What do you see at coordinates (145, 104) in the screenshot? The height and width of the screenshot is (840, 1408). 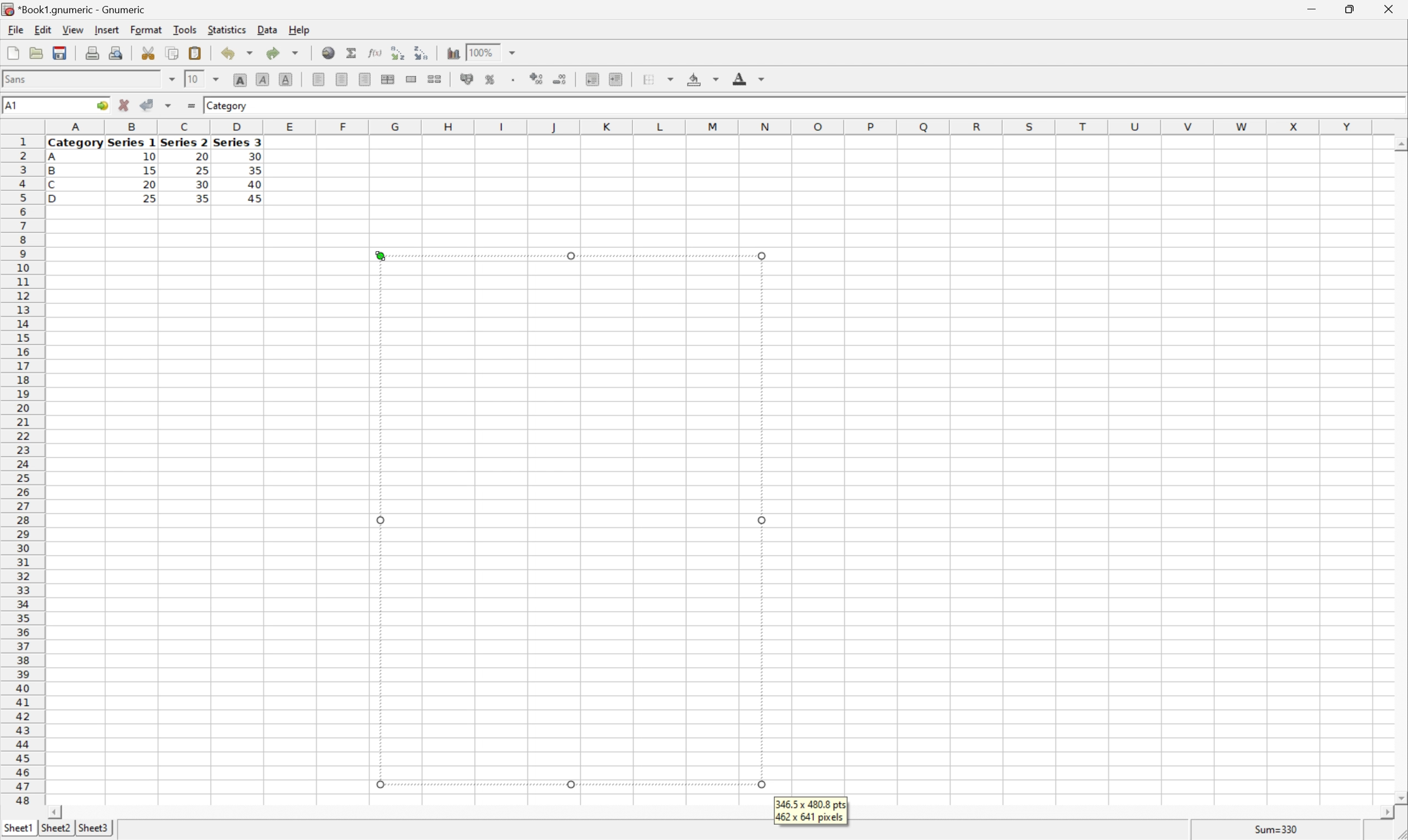 I see `Accept changes` at bounding box center [145, 104].